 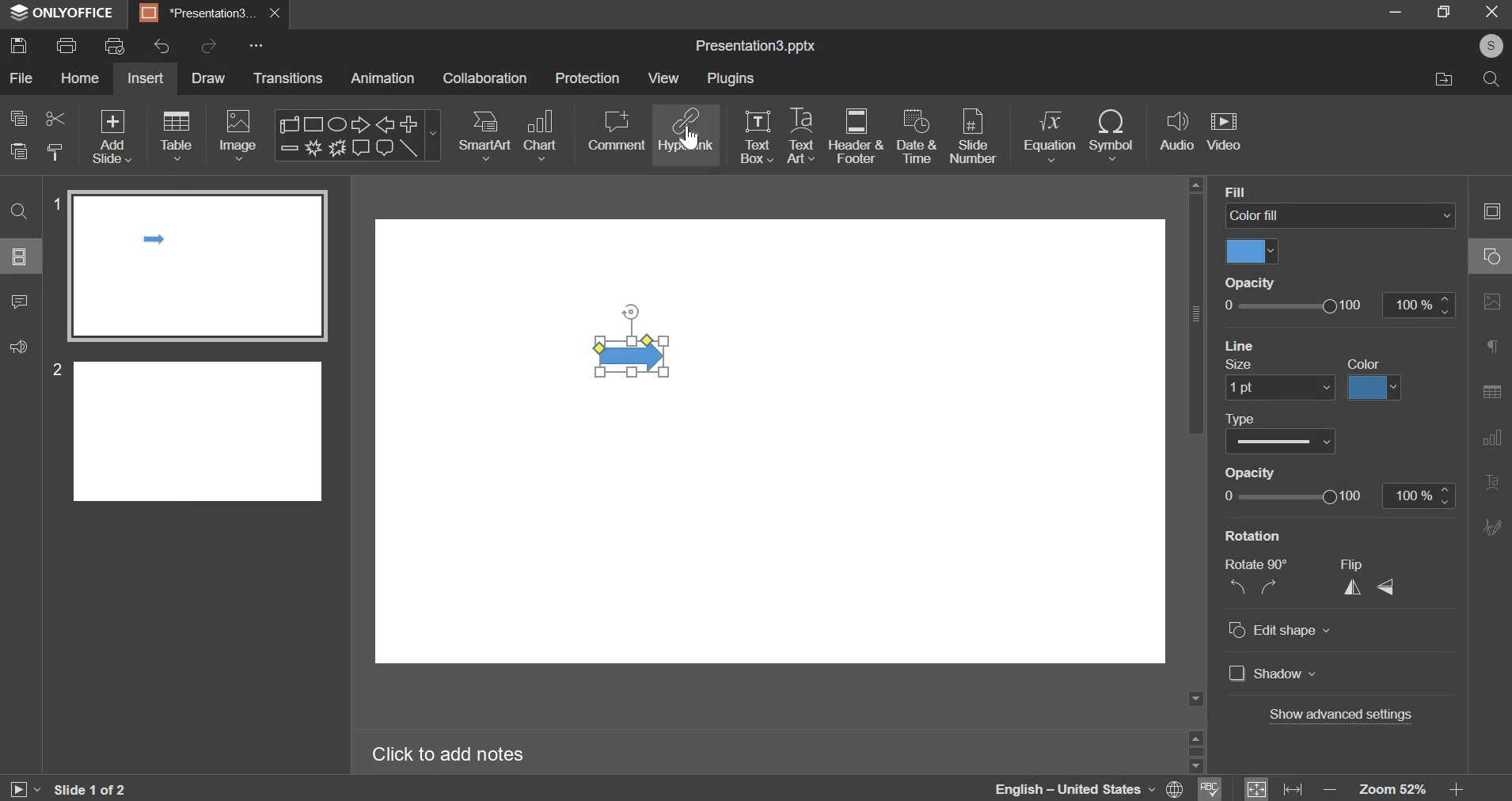 I want to click on left arrow, so click(x=385, y=124).